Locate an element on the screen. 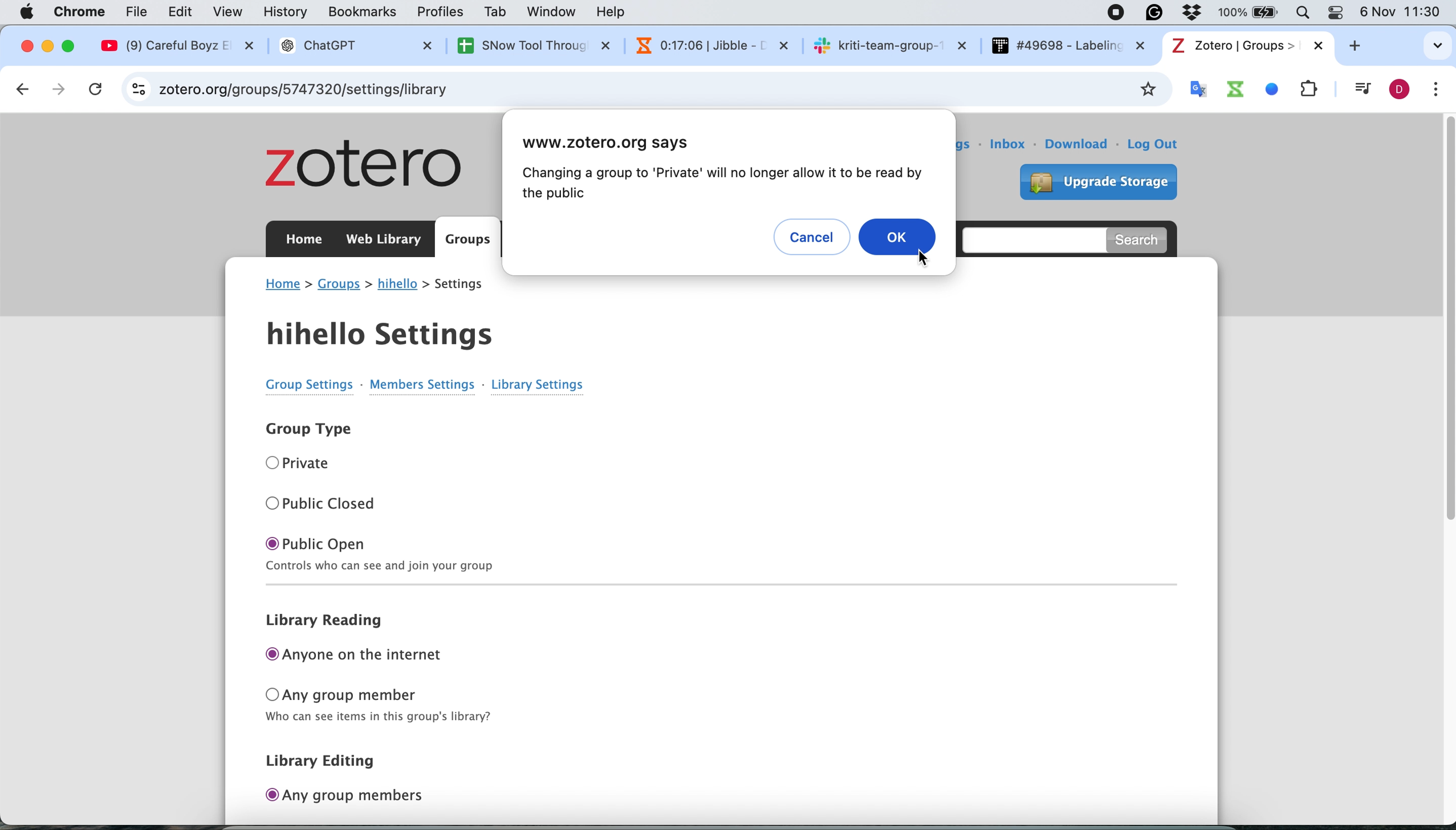 Image resolution: width=1456 pixels, height=830 pixels. web library is located at coordinates (386, 239).